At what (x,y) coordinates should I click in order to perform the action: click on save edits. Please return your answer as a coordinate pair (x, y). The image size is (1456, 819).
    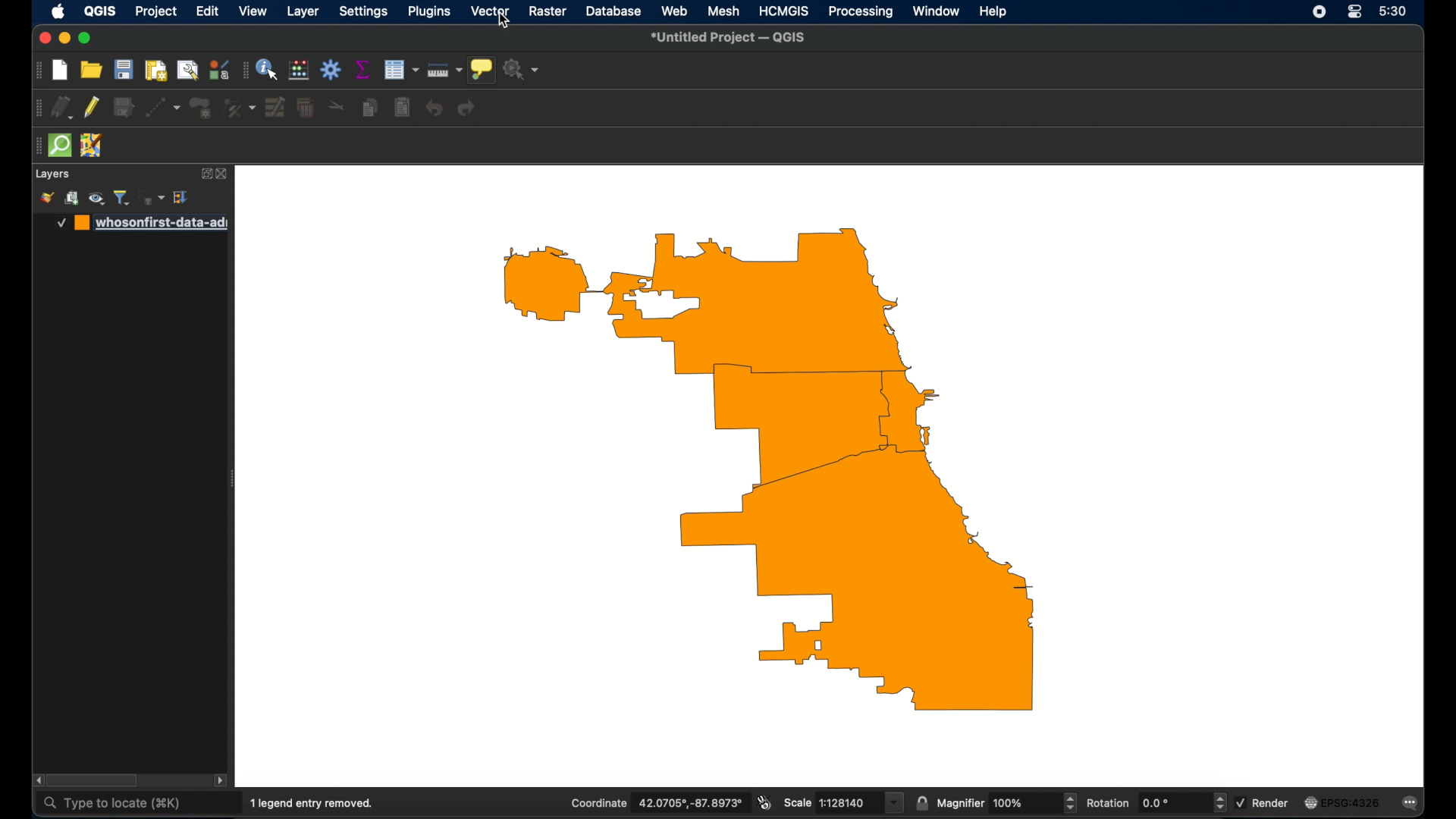
    Looking at the image, I should click on (122, 105).